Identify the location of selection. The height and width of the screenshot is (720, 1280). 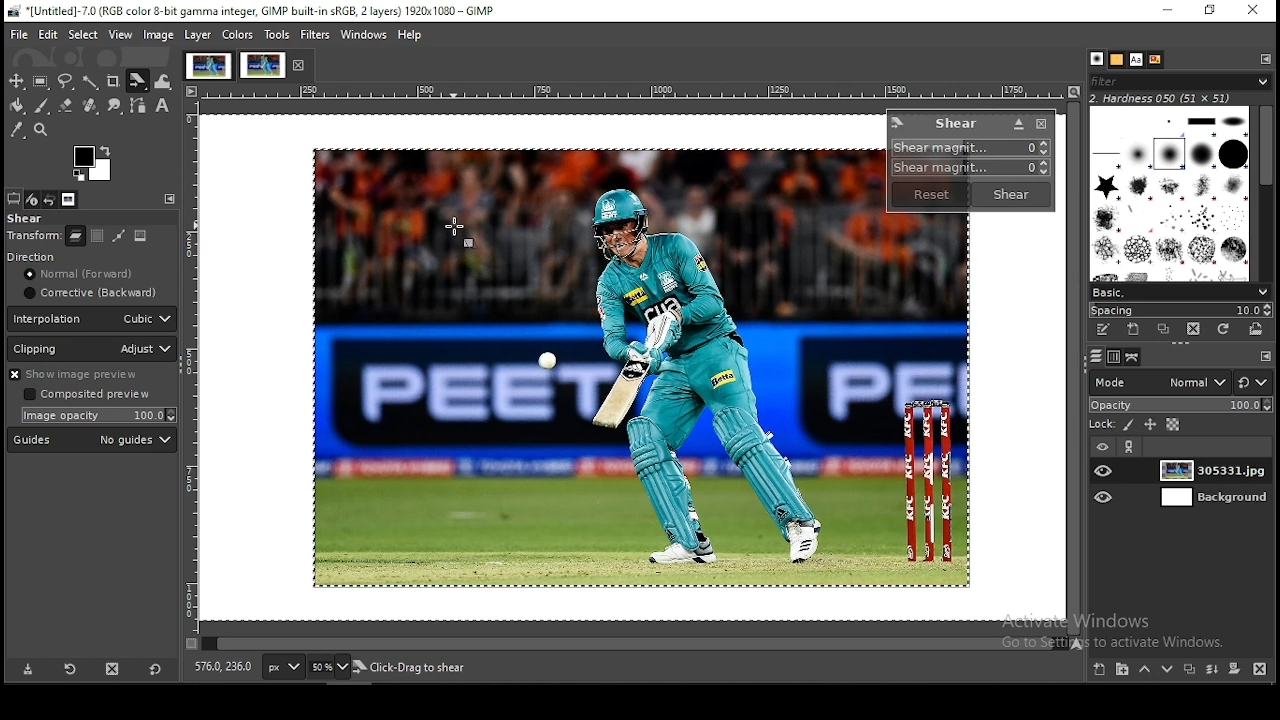
(96, 236).